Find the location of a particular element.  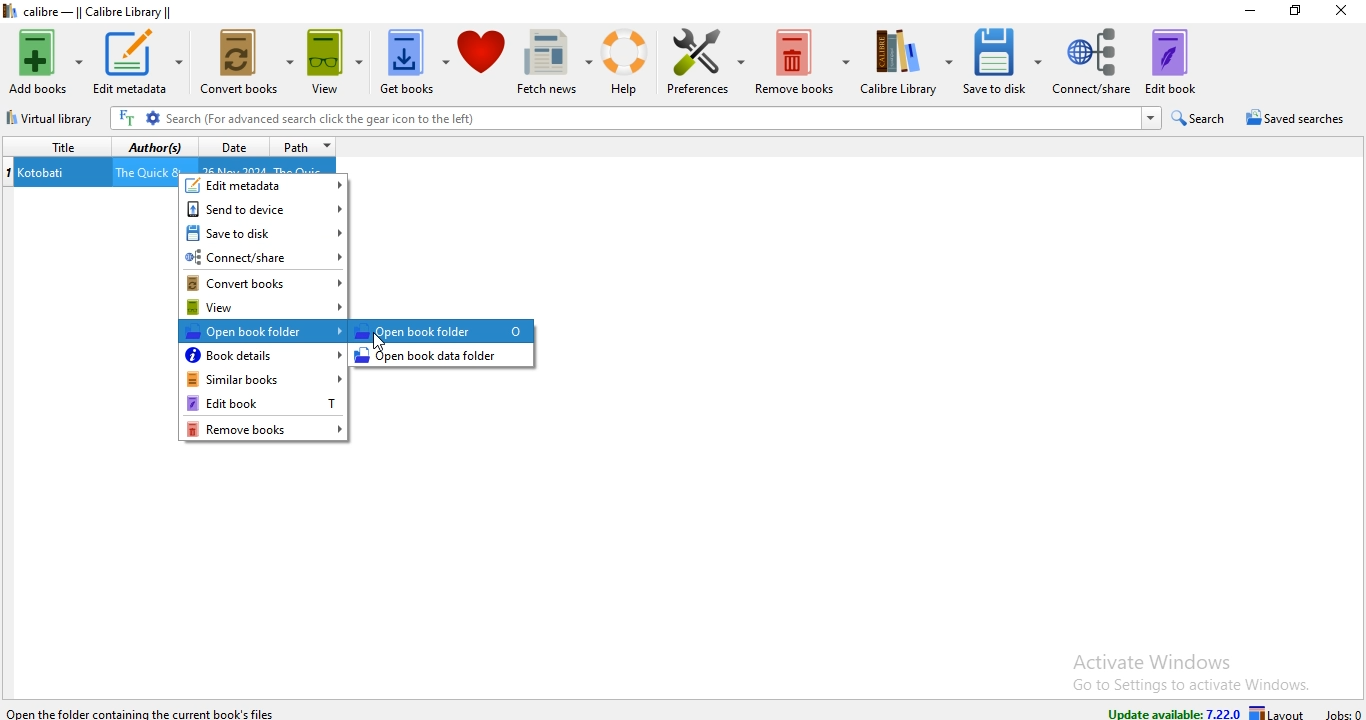

open book data folder is located at coordinates (442, 355).